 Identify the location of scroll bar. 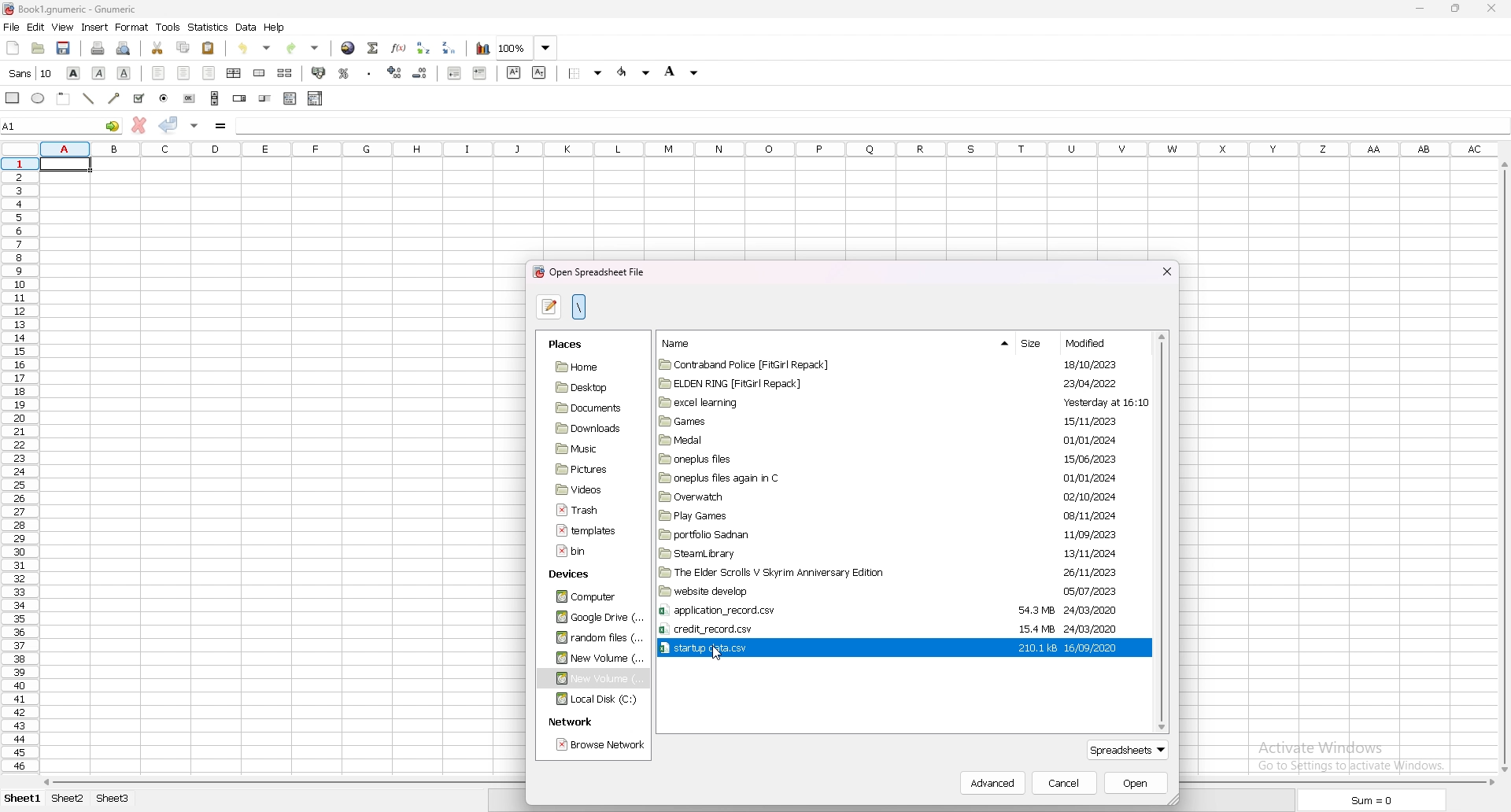
(215, 98).